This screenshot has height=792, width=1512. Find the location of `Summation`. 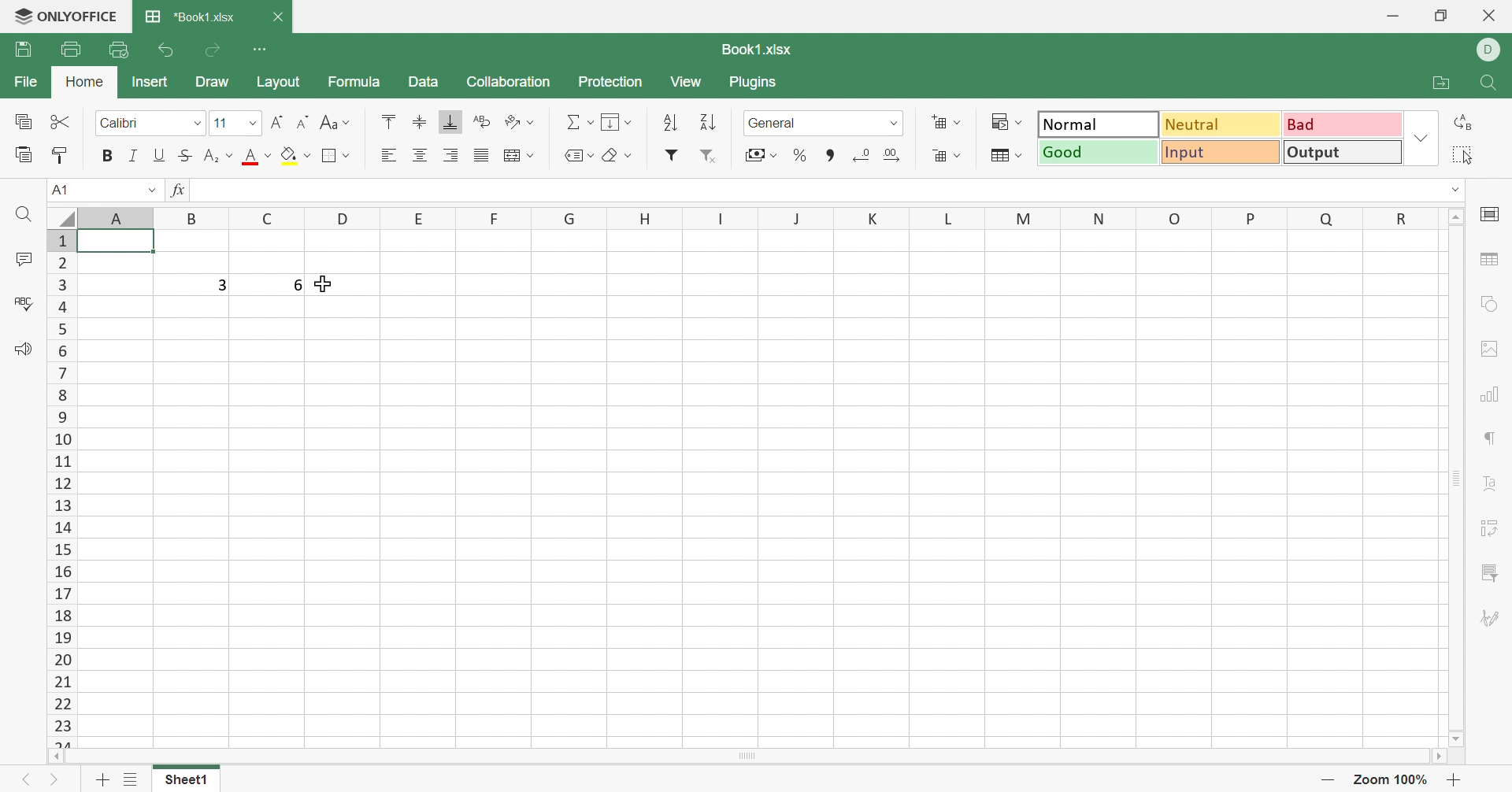

Summation is located at coordinates (579, 121).